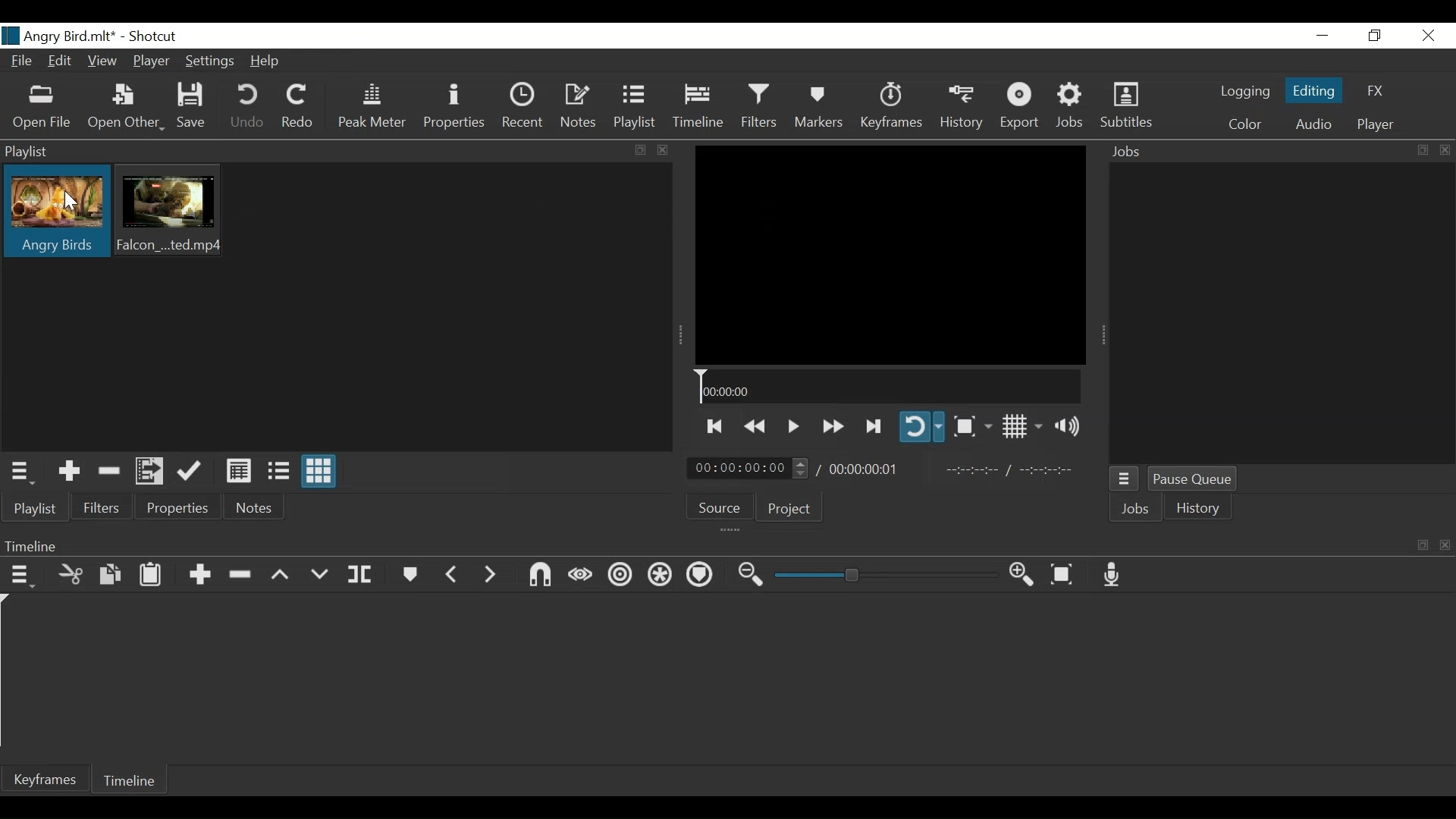 This screenshot has height=819, width=1456. What do you see at coordinates (1314, 93) in the screenshot?
I see `Editing` at bounding box center [1314, 93].